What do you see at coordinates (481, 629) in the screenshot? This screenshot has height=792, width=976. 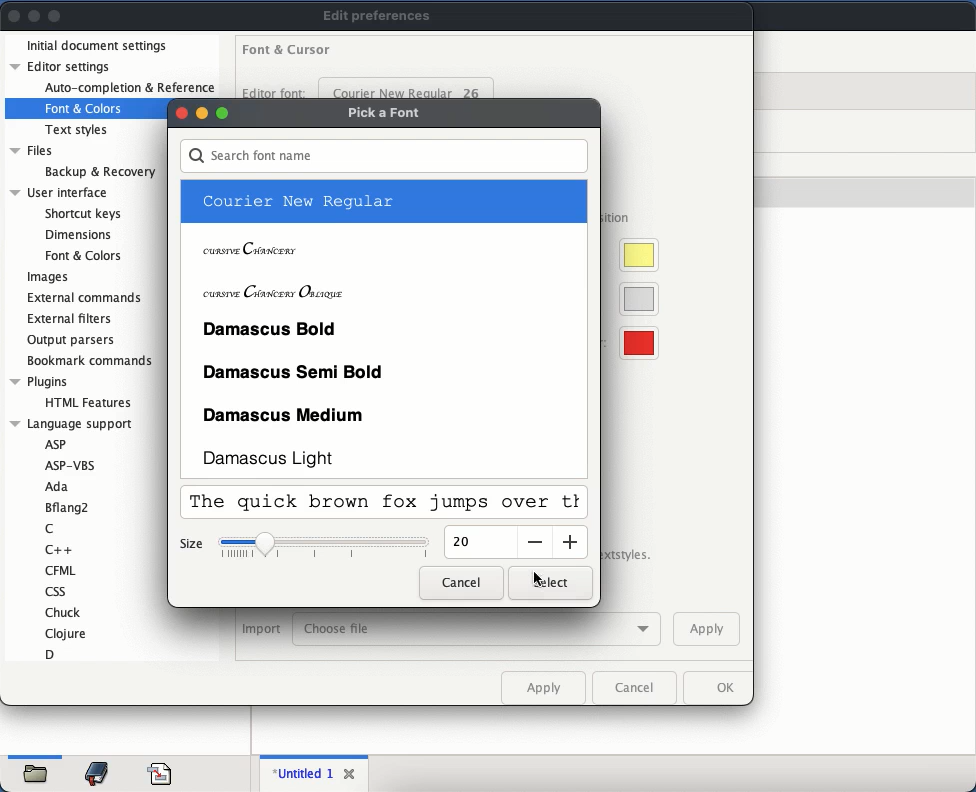 I see `choose file` at bounding box center [481, 629].